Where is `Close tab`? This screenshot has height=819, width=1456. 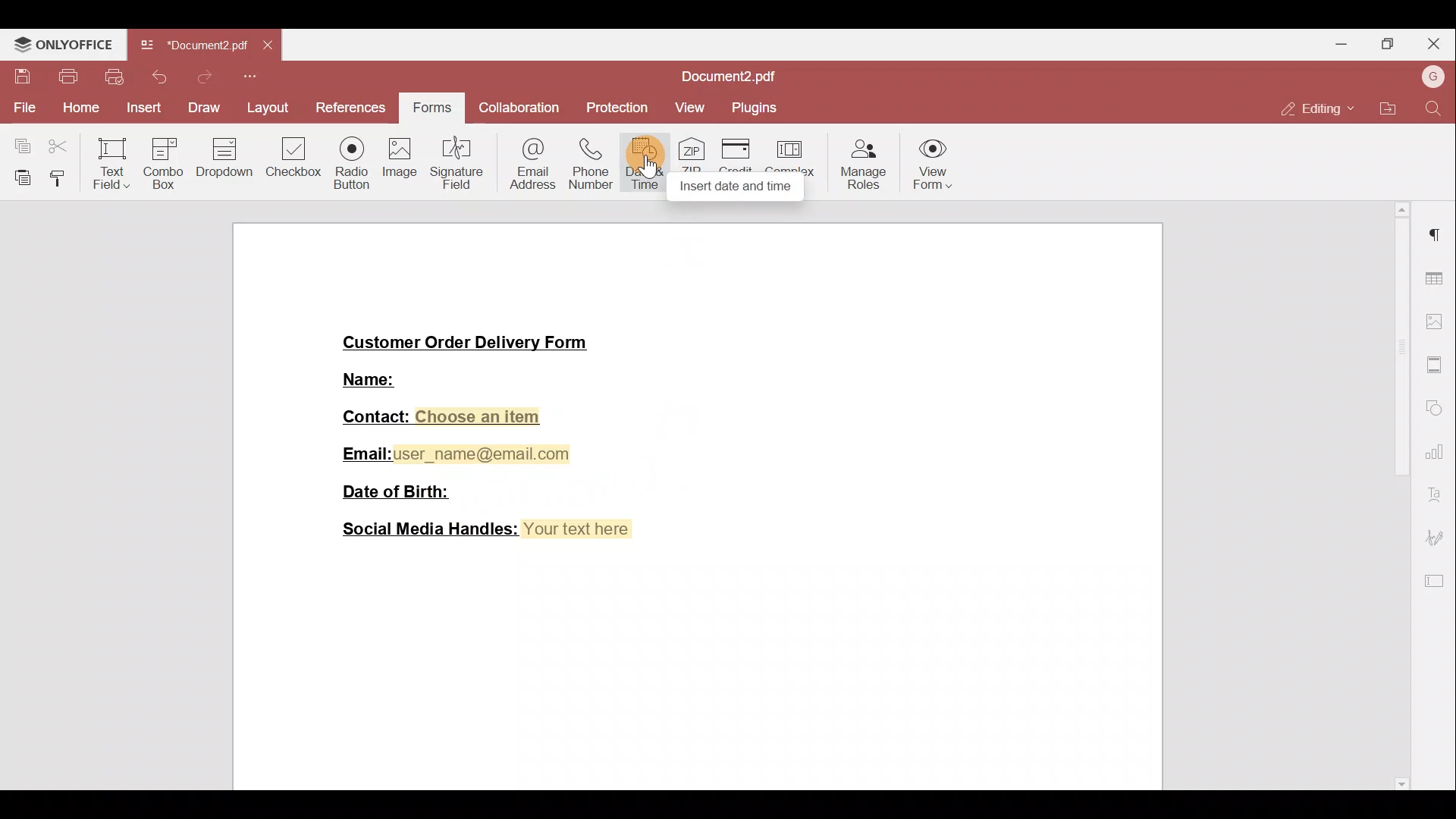 Close tab is located at coordinates (265, 46).